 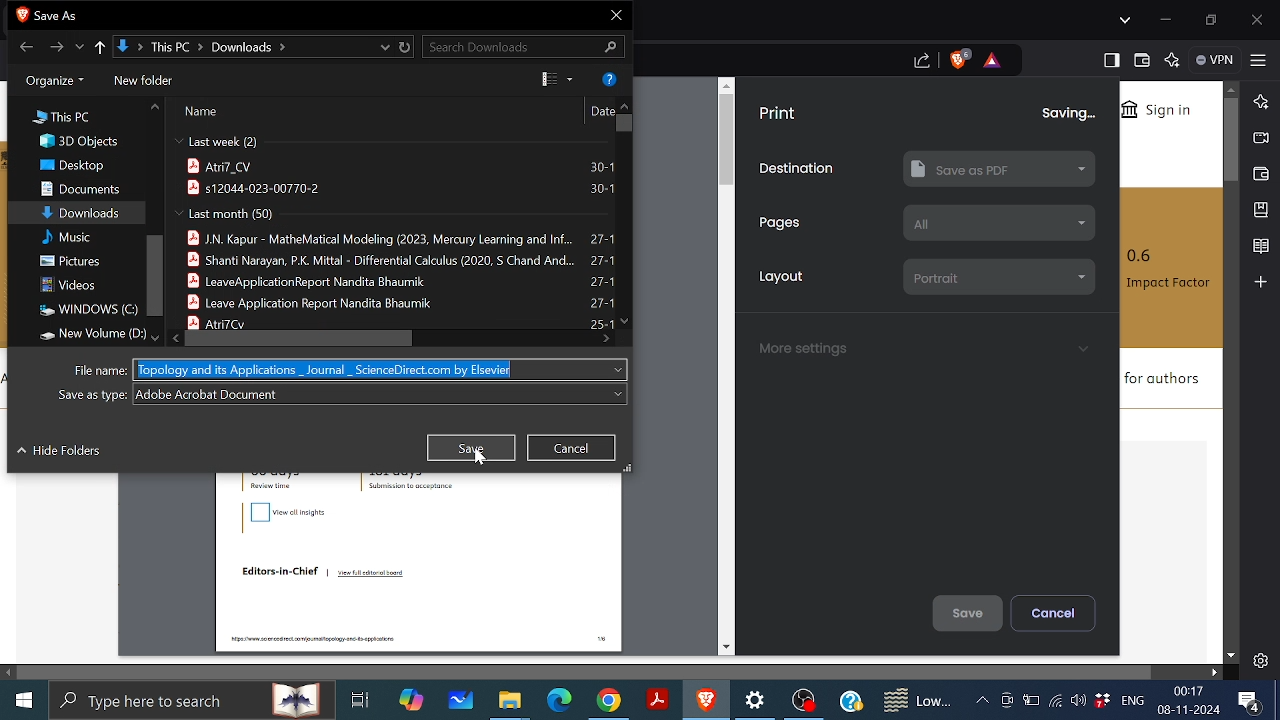 I want to click on Move left, so click(x=8, y=672).